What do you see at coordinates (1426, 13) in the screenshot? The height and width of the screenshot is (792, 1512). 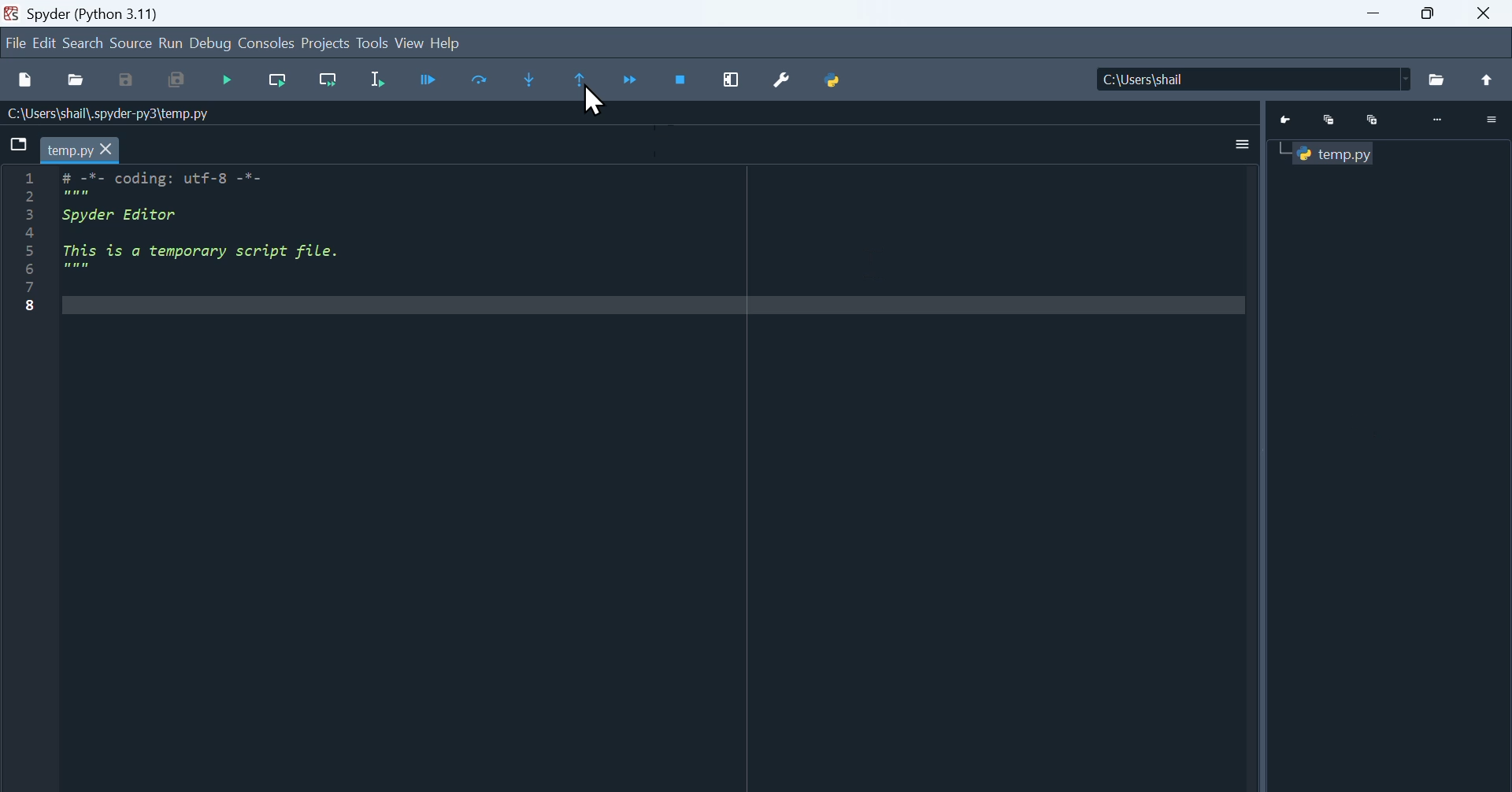 I see `Maximize` at bounding box center [1426, 13].